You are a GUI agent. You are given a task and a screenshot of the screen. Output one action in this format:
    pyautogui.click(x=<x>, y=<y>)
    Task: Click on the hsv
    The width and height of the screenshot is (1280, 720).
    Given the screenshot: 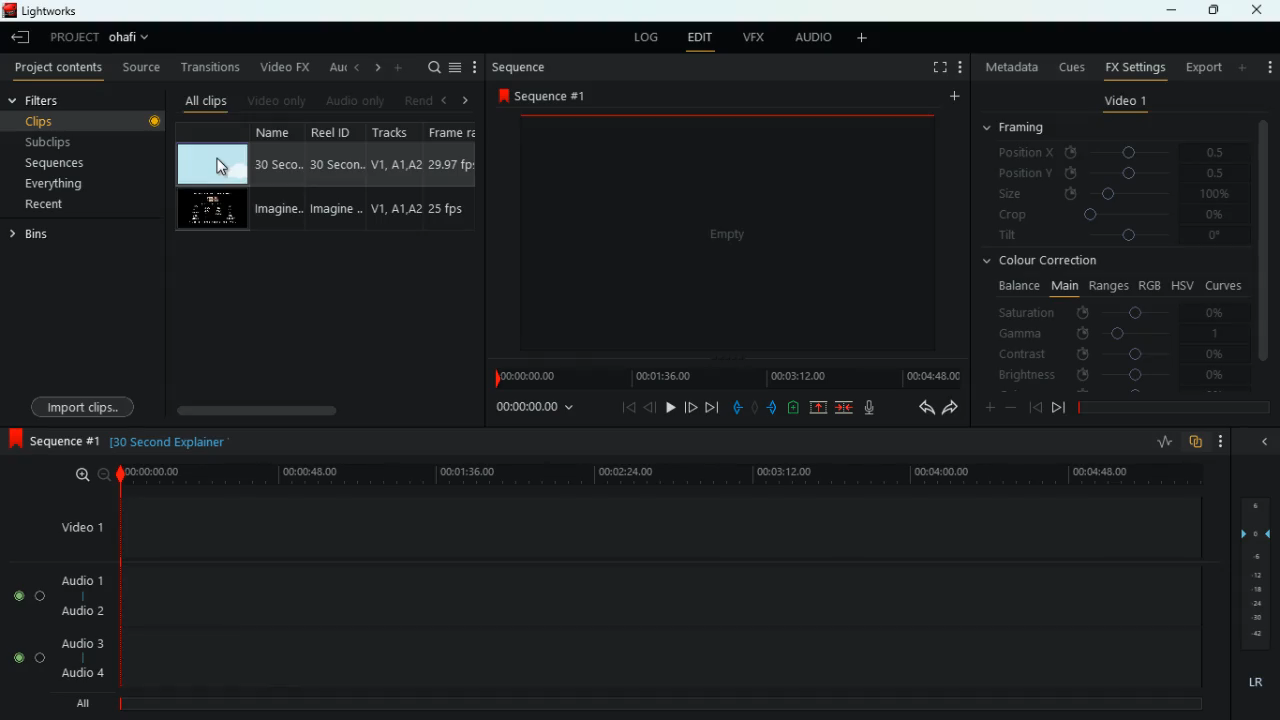 What is the action you would take?
    pyautogui.click(x=1180, y=285)
    